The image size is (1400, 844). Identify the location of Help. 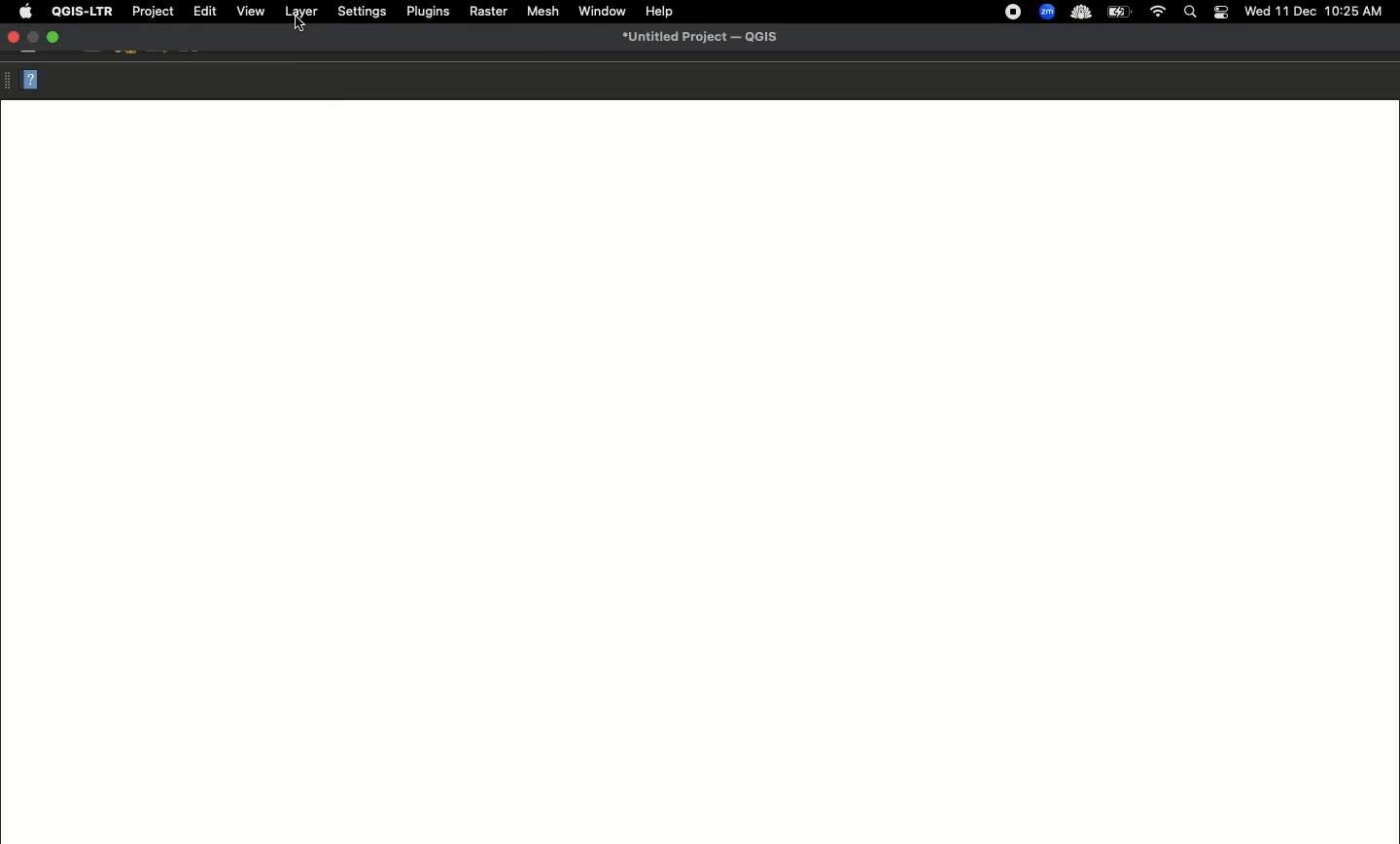
(658, 13).